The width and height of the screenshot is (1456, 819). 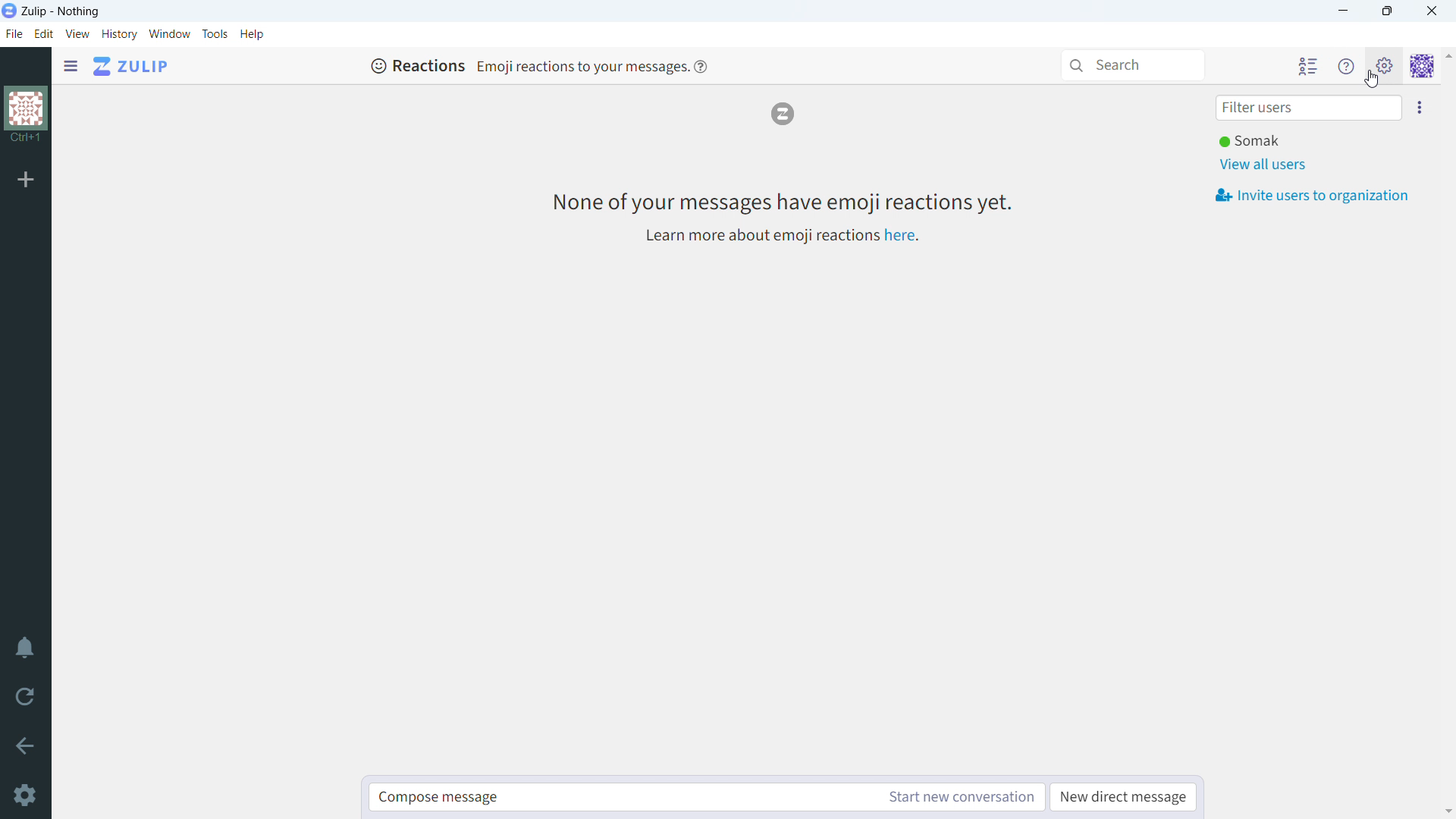 I want to click on window, so click(x=170, y=34).